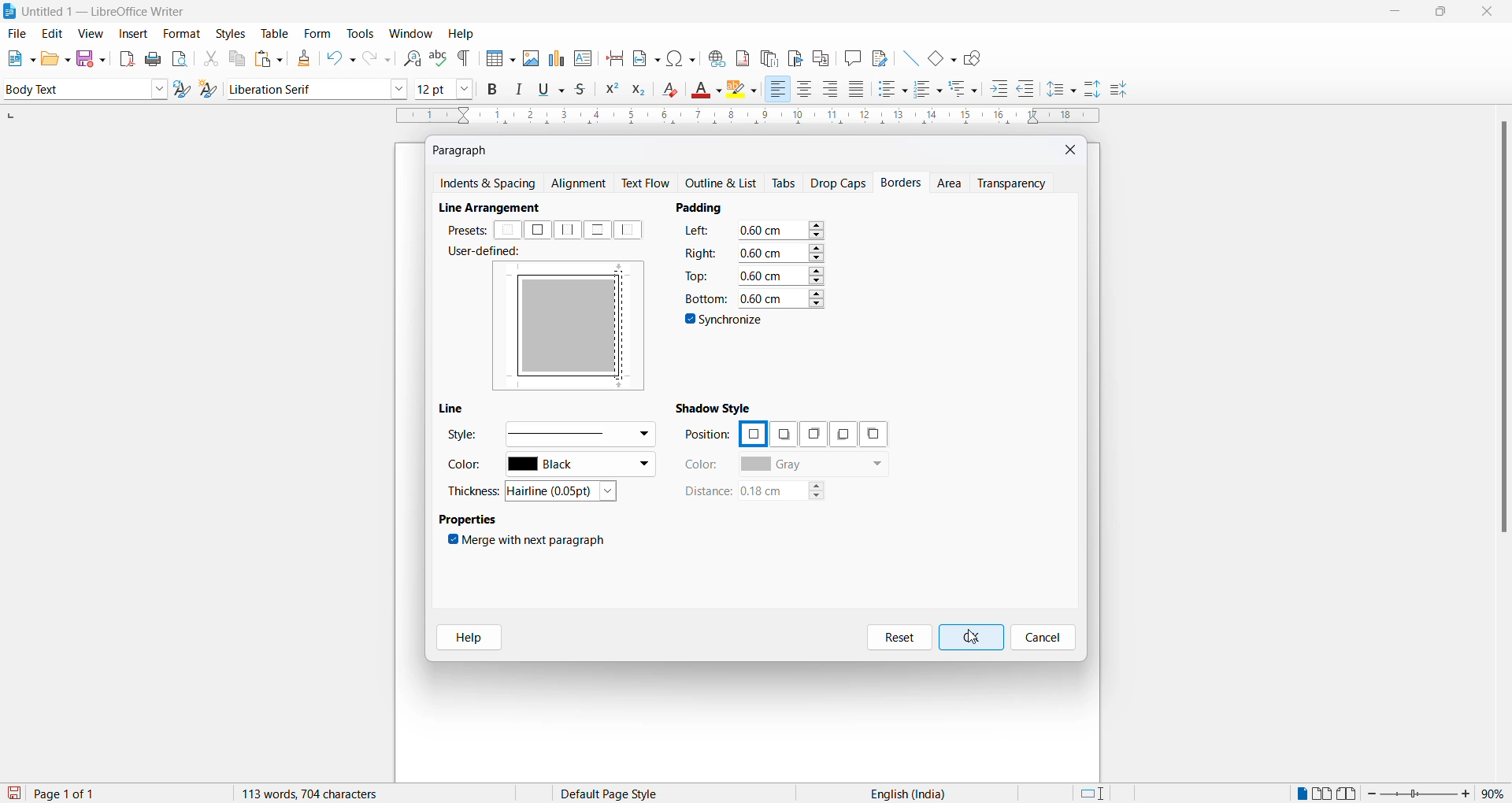  I want to click on font color, so click(708, 91).